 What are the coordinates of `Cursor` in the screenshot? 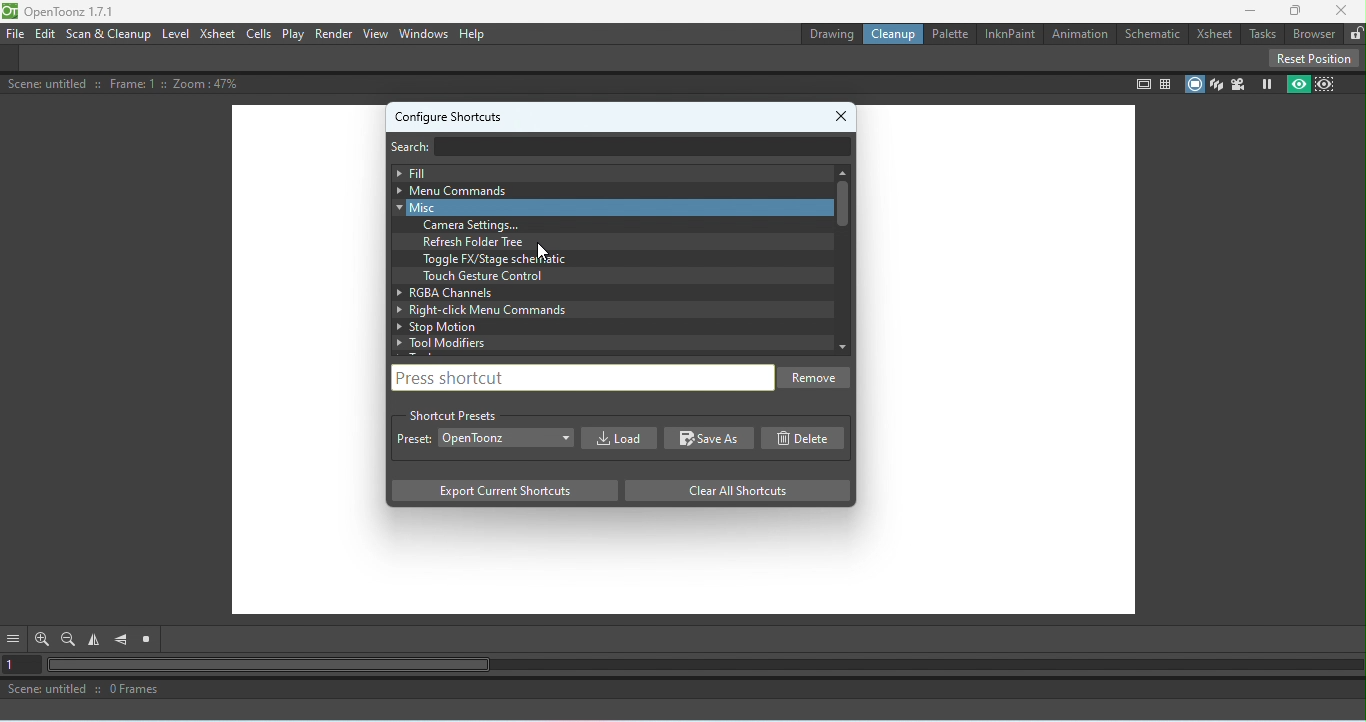 It's located at (541, 251).